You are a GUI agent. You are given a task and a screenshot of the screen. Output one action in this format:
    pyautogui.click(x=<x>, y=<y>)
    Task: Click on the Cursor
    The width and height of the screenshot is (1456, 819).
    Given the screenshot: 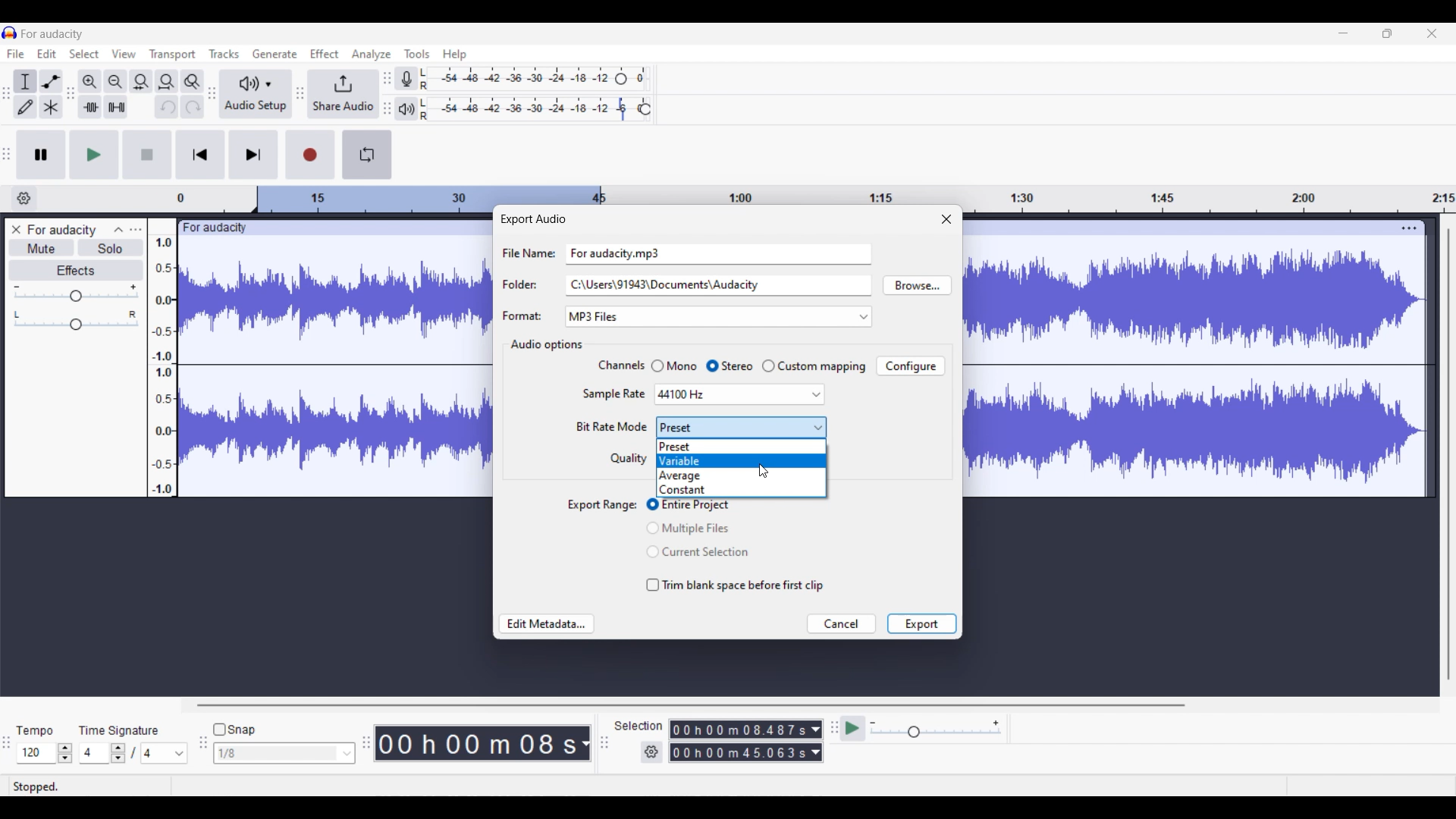 What is the action you would take?
    pyautogui.click(x=764, y=471)
    